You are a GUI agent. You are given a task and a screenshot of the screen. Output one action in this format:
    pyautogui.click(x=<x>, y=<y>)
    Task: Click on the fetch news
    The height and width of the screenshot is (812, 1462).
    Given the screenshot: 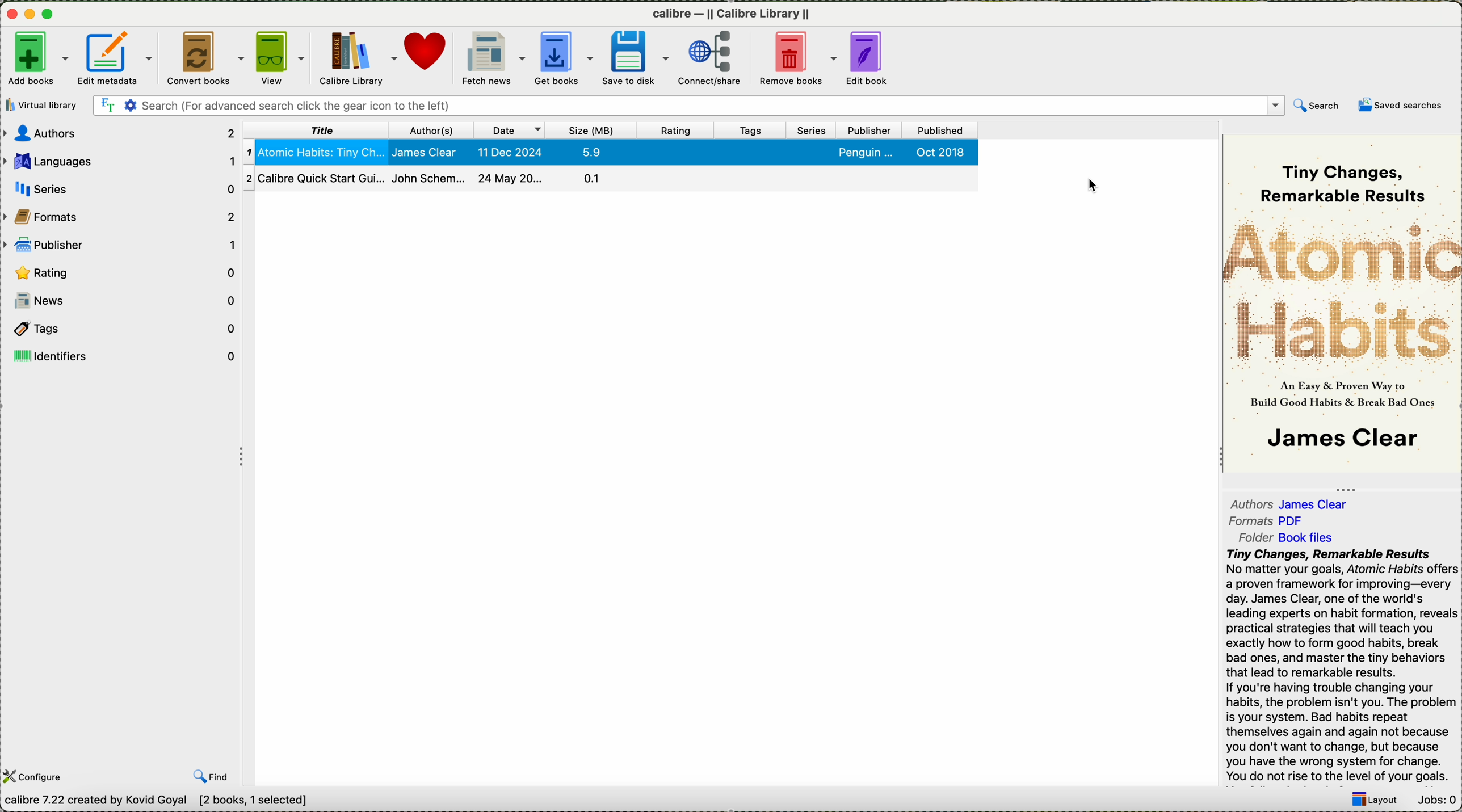 What is the action you would take?
    pyautogui.click(x=493, y=59)
    